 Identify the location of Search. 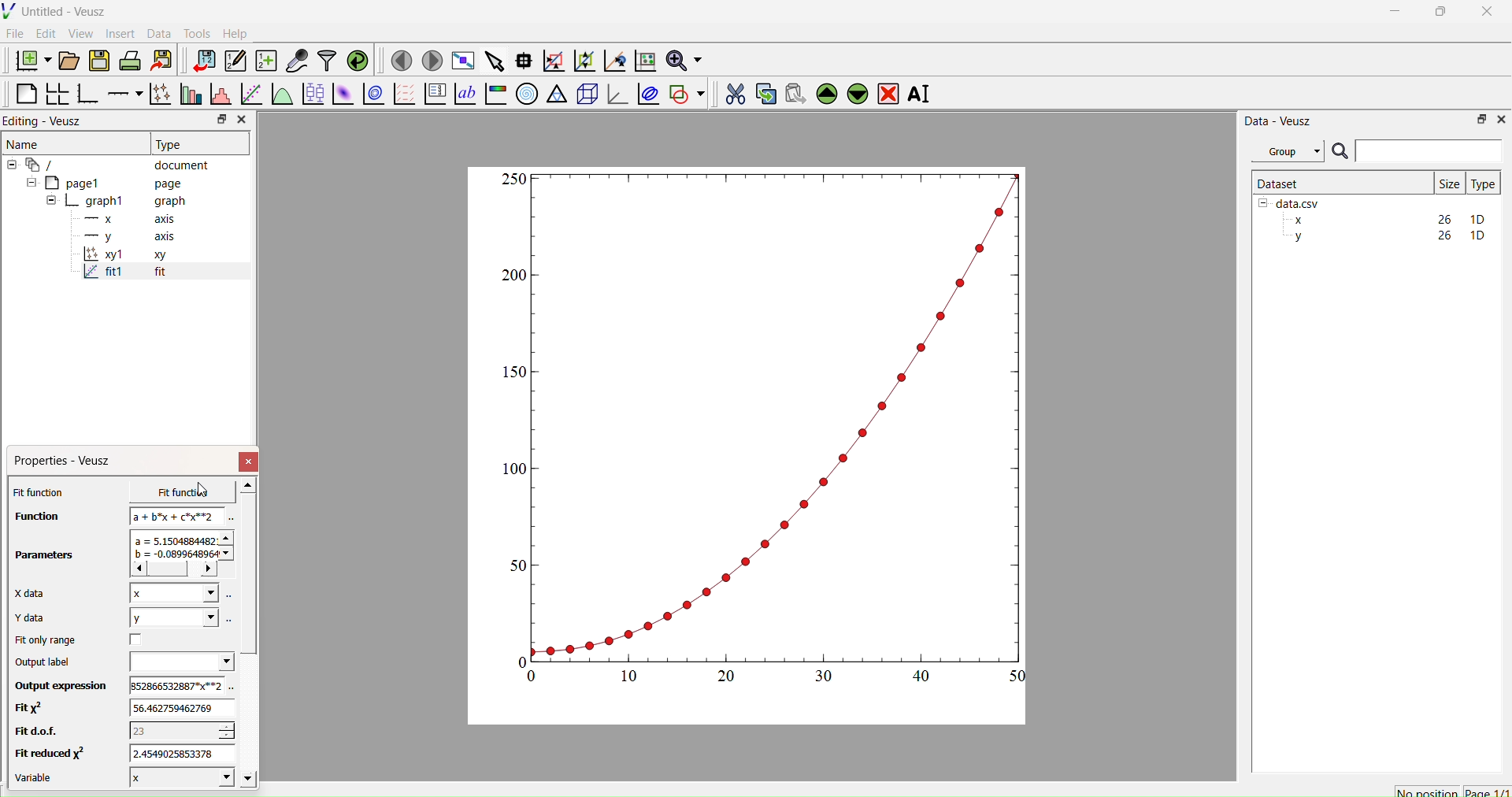
(1340, 152).